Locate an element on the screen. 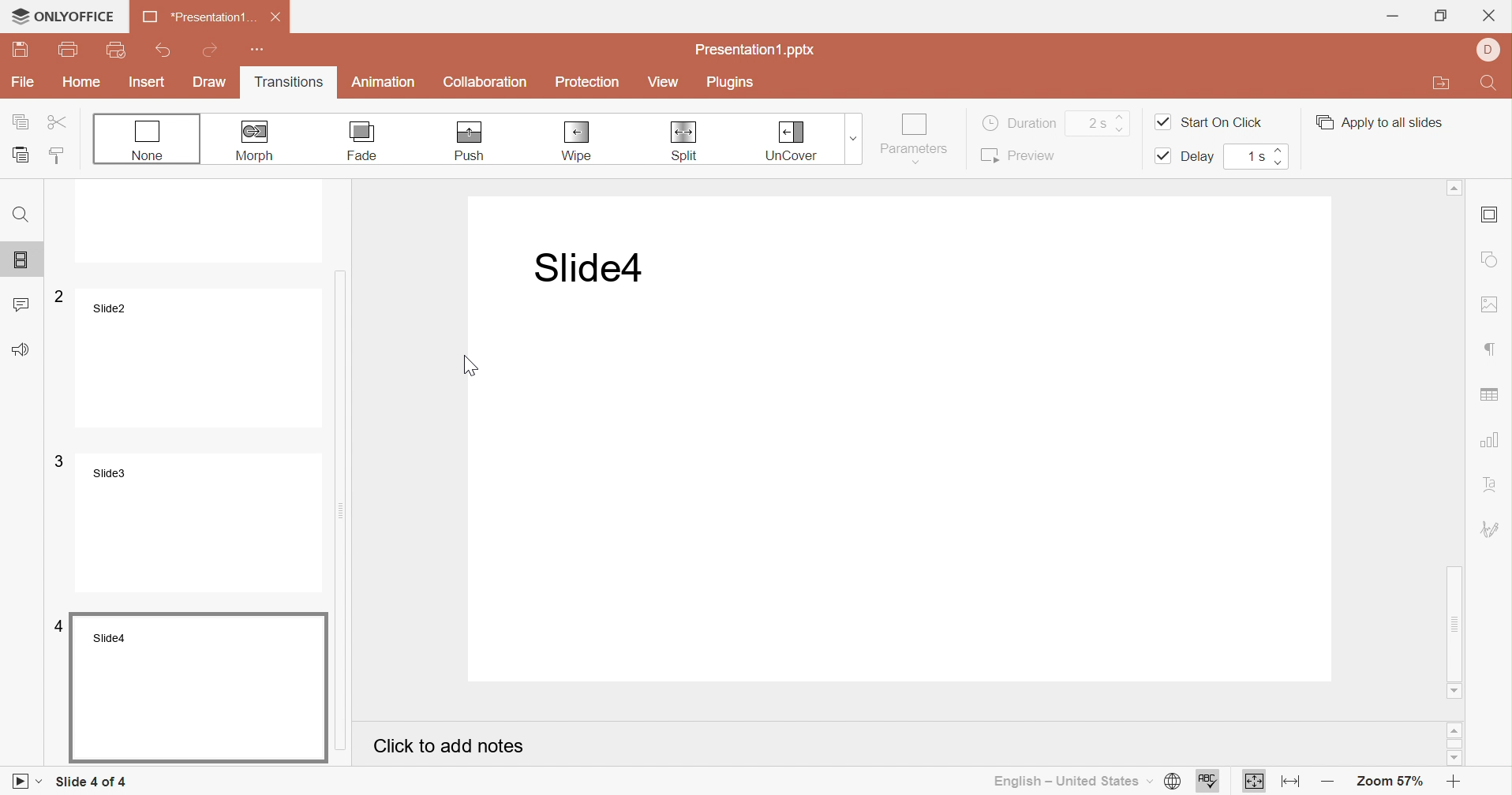 This screenshot has width=1512, height=795. Scroll up is located at coordinates (1458, 188).